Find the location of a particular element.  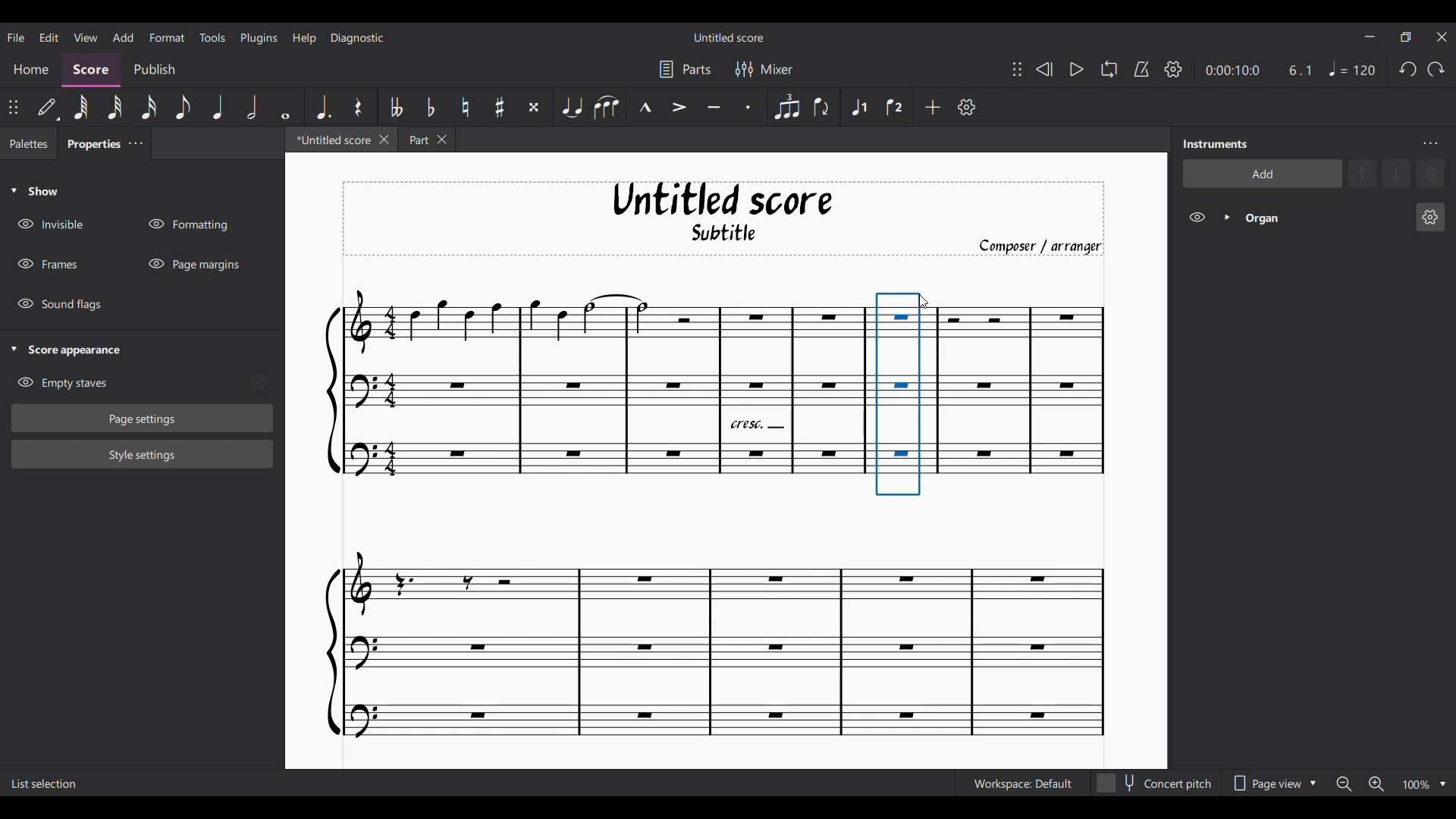

Score title, sub-title, and composer name is located at coordinates (723, 219).